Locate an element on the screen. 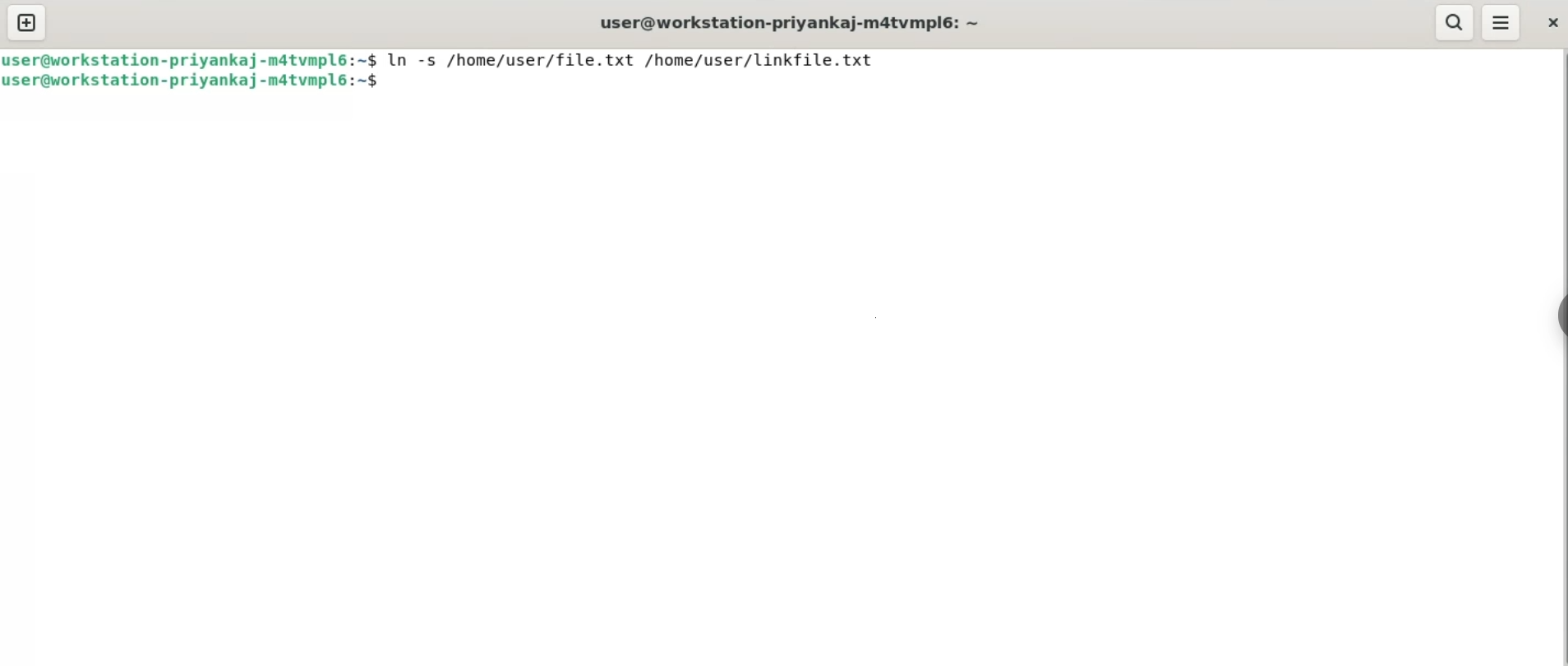 This screenshot has height=666, width=1568. close is located at coordinates (1546, 21).